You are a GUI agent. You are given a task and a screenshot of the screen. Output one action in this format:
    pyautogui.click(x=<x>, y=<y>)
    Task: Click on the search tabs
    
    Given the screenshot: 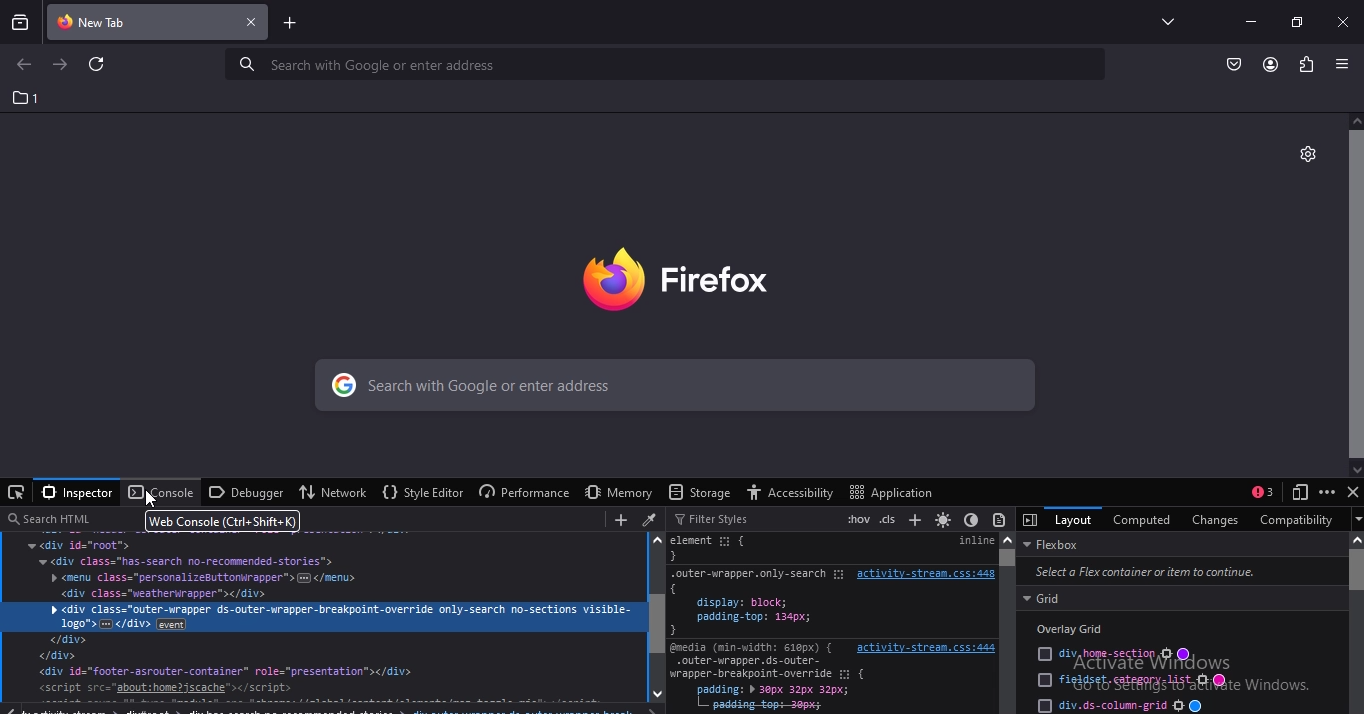 What is the action you would take?
    pyautogui.click(x=21, y=21)
    